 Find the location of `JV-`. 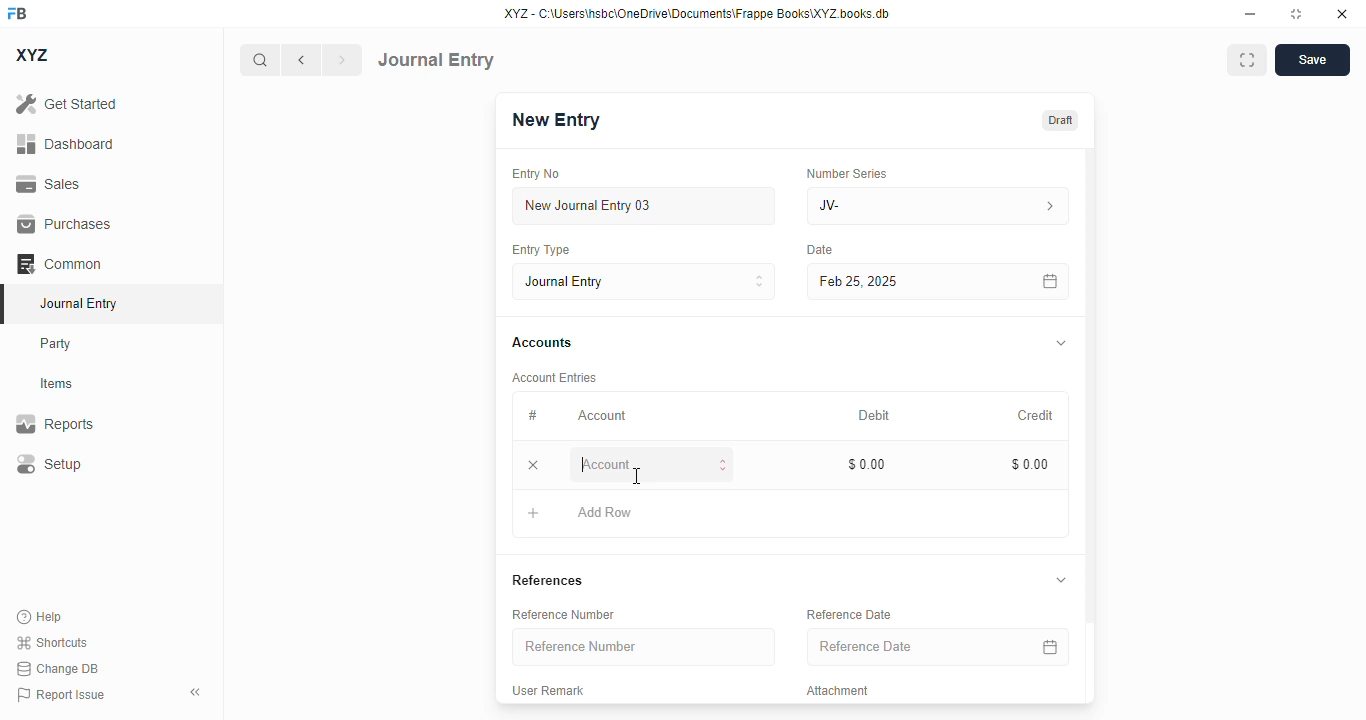

JV- is located at coordinates (894, 206).